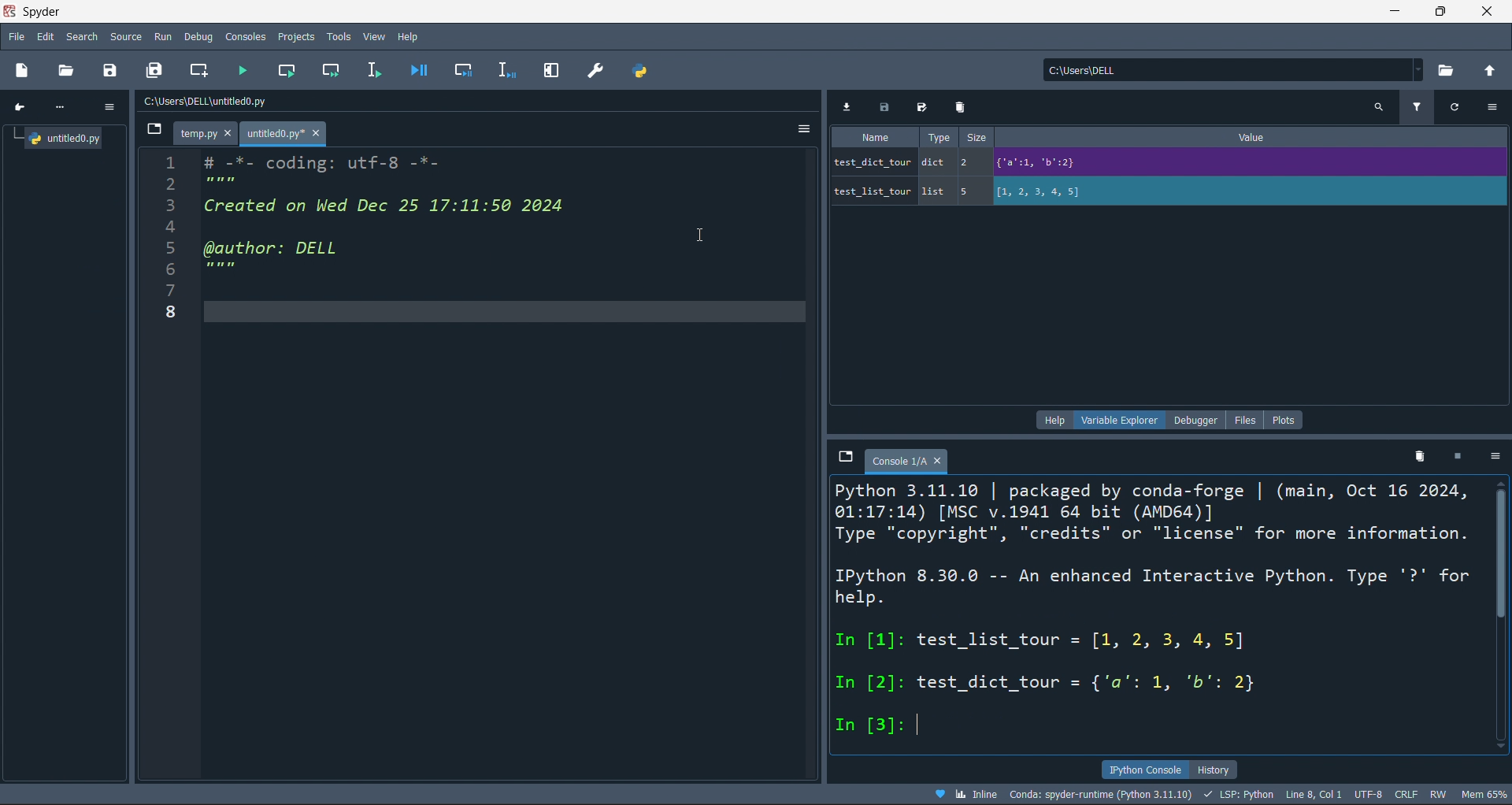  Describe the element at coordinates (1221, 770) in the screenshot. I see `history` at that location.